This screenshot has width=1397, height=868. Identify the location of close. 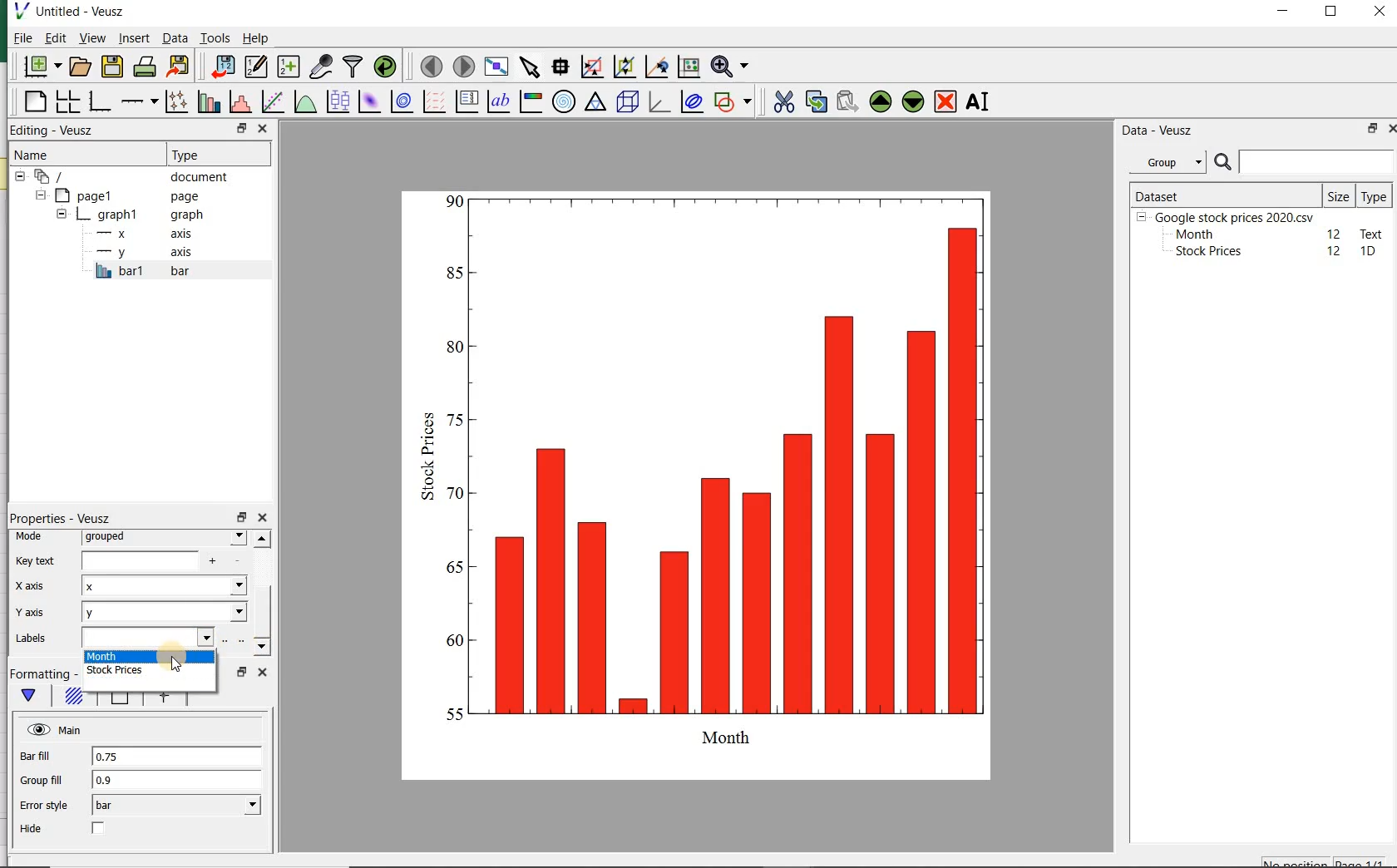
(263, 674).